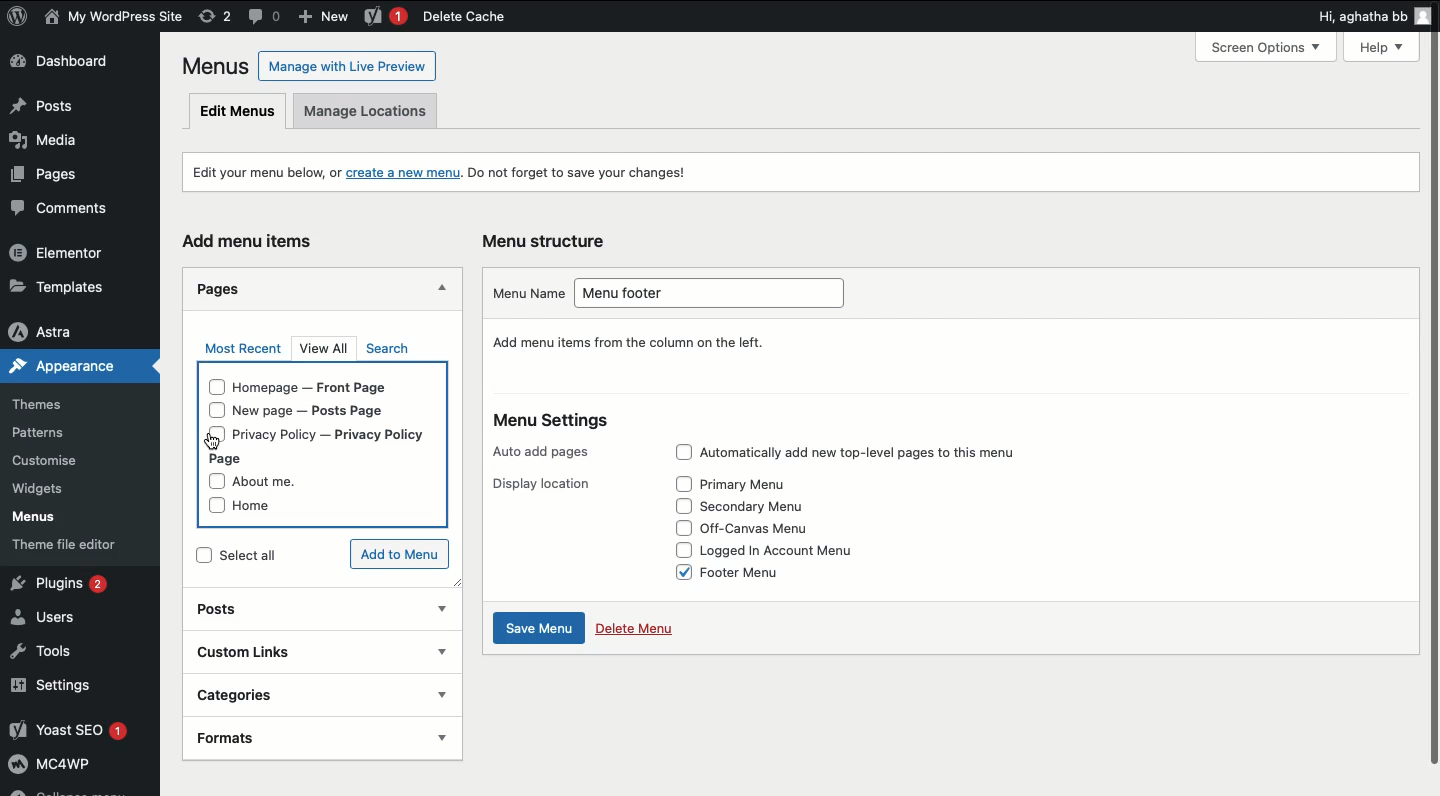 Image resolution: width=1440 pixels, height=796 pixels. Describe the element at coordinates (384, 17) in the screenshot. I see `Yoast` at that location.